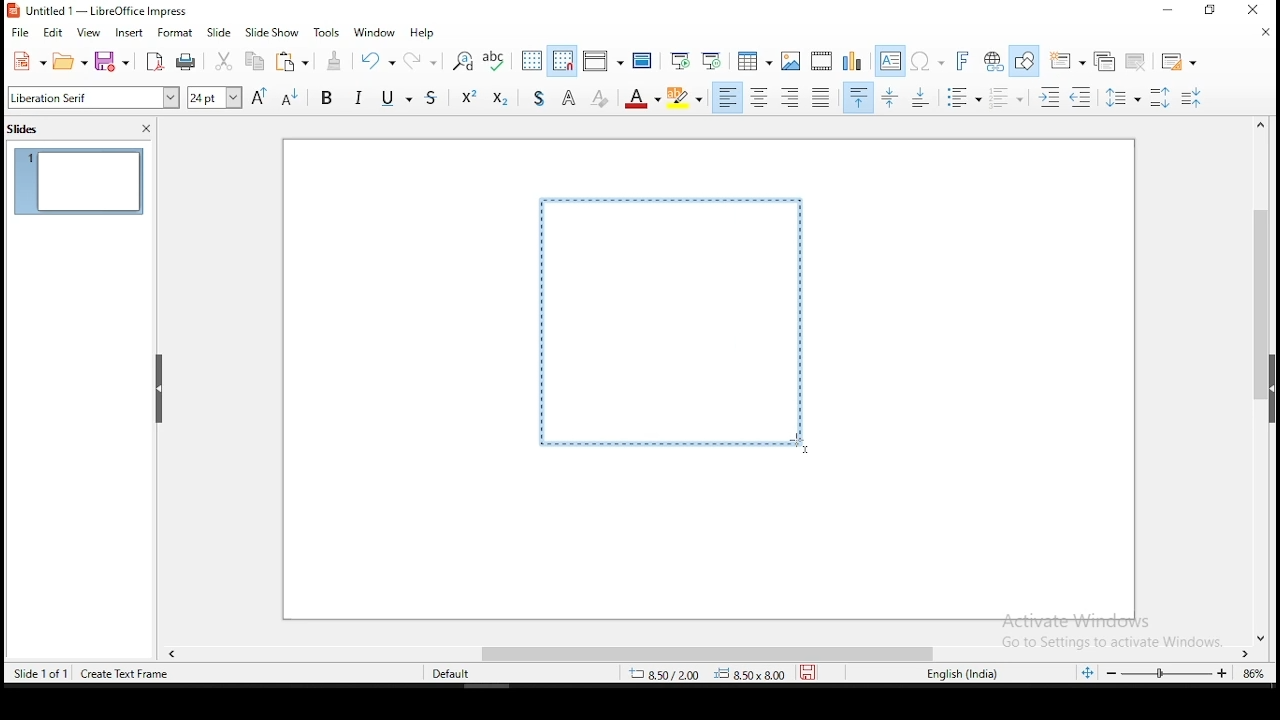 This screenshot has width=1280, height=720. What do you see at coordinates (856, 99) in the screenshot?
I see `align top` at bounding box center [856, 99].